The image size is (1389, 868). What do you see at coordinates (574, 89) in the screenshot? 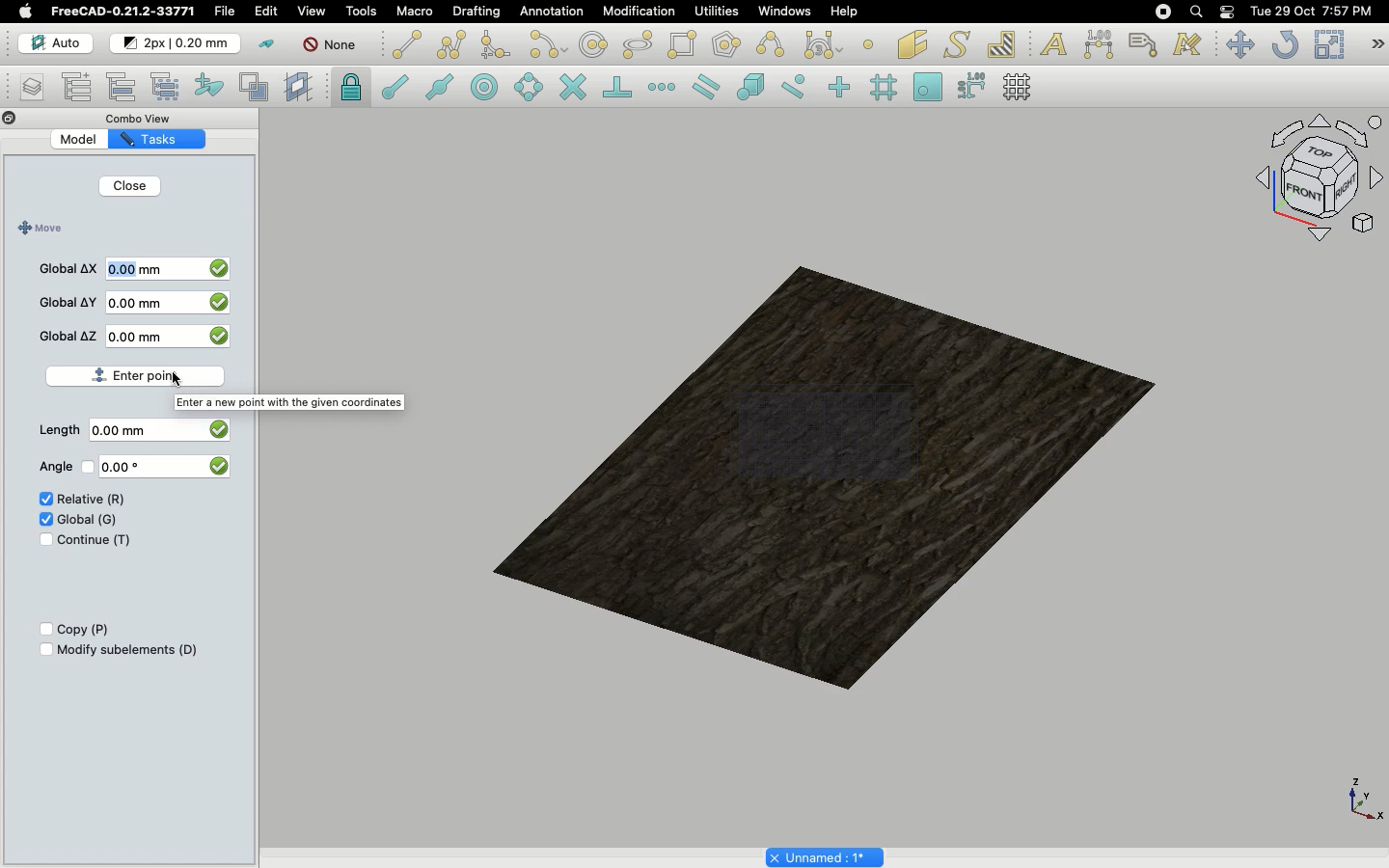
I see `Snap intersection` at bounding box center [574, 89].